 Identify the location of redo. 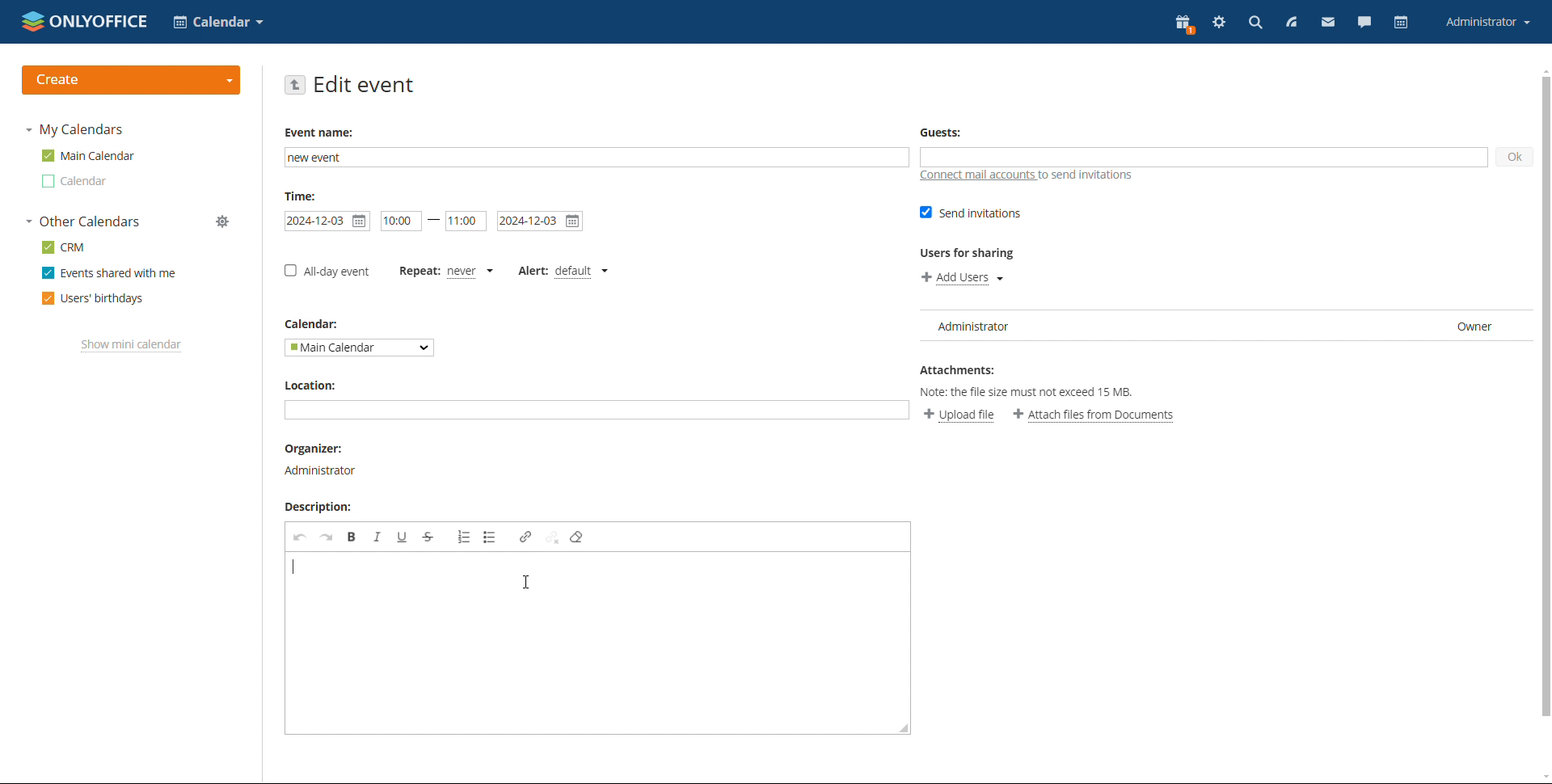
(327, 537).